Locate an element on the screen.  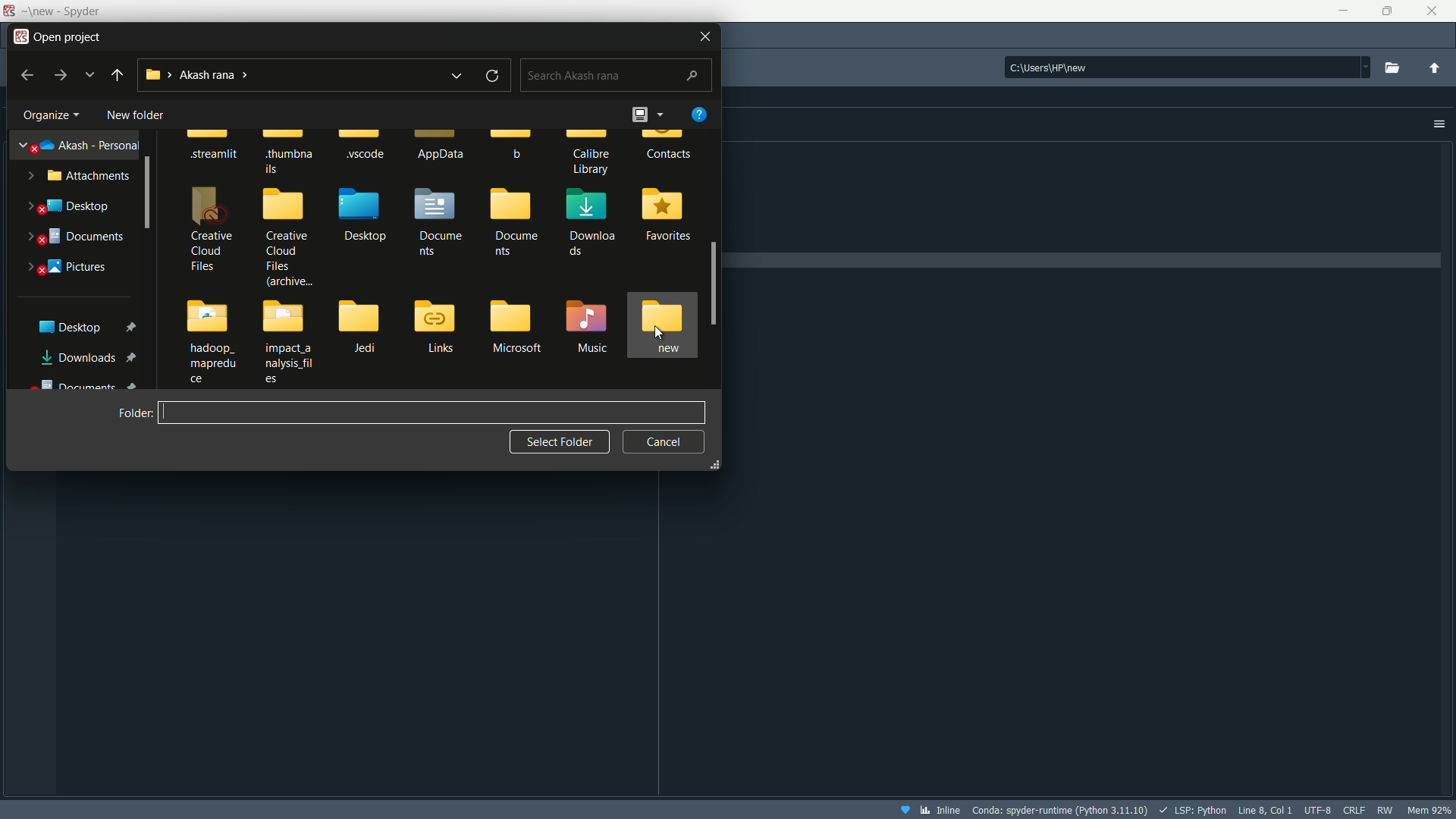
options is located at coordinates (1439, 124).